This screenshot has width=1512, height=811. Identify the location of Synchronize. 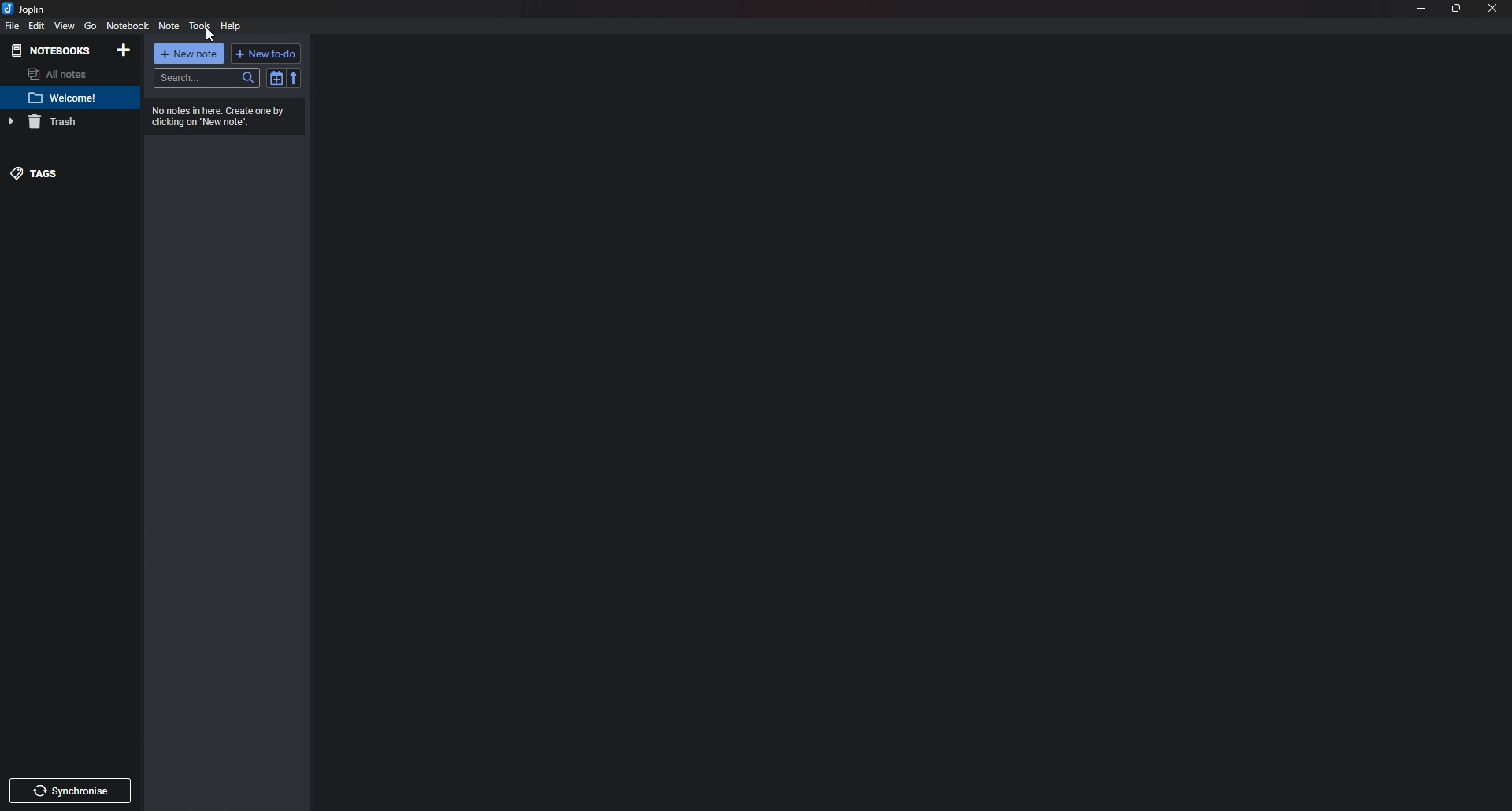
(71, 790).